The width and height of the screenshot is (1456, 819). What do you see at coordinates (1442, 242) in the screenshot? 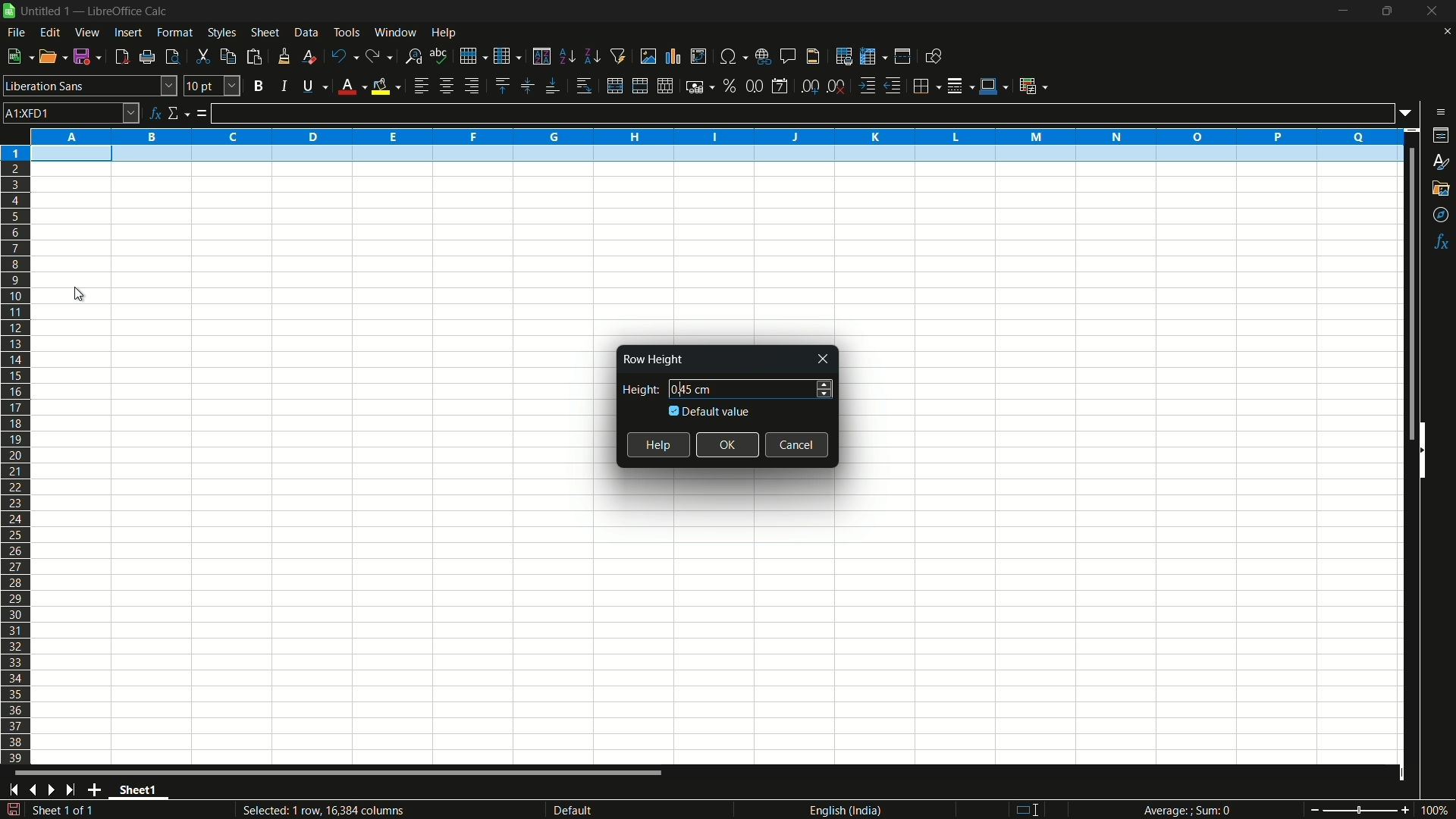
I see `functions` at bounding box center [1442, 242].